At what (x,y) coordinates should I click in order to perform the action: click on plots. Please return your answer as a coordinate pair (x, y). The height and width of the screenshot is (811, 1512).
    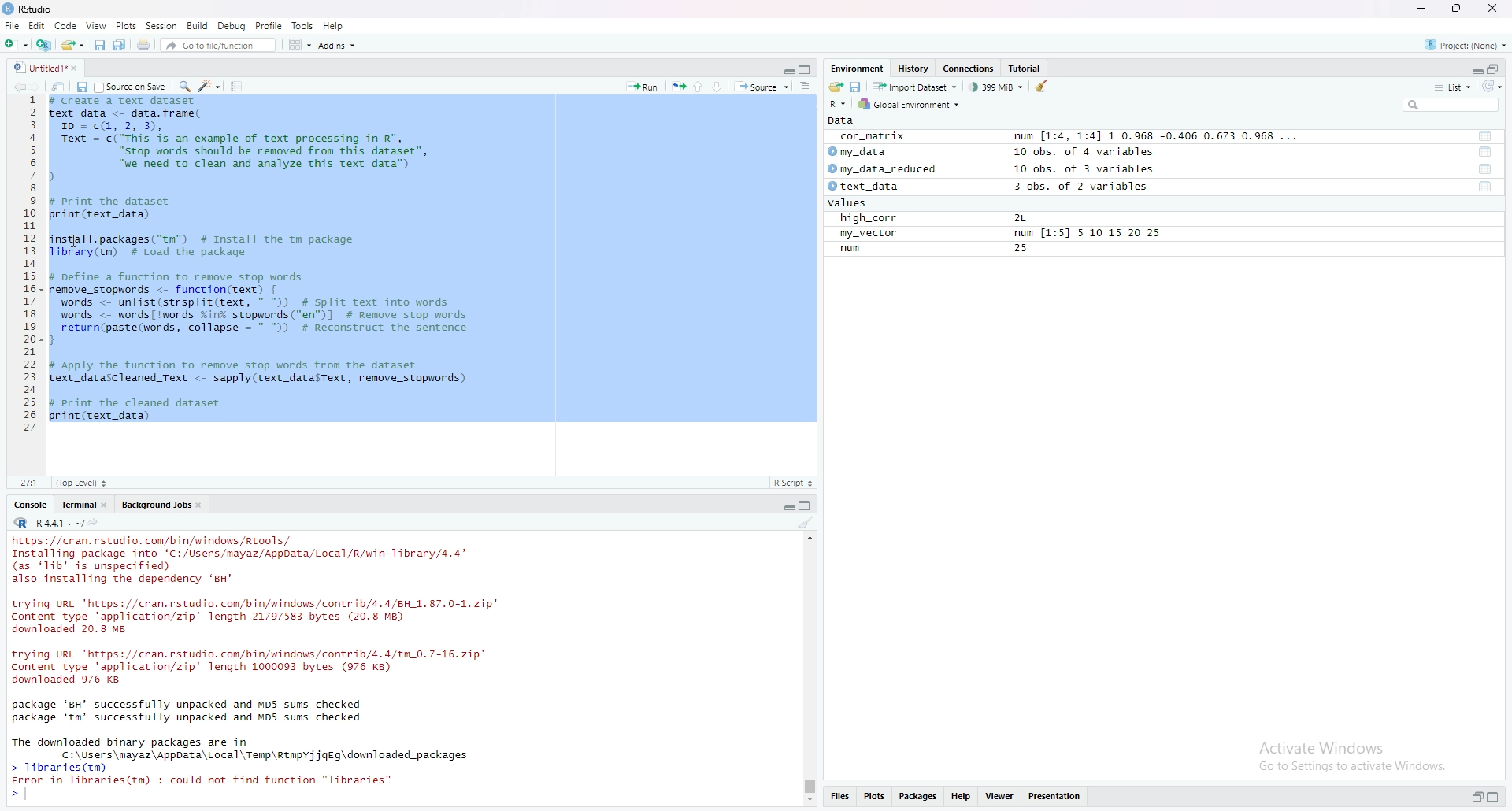
    Looking at the image, I should click on (875, 797).